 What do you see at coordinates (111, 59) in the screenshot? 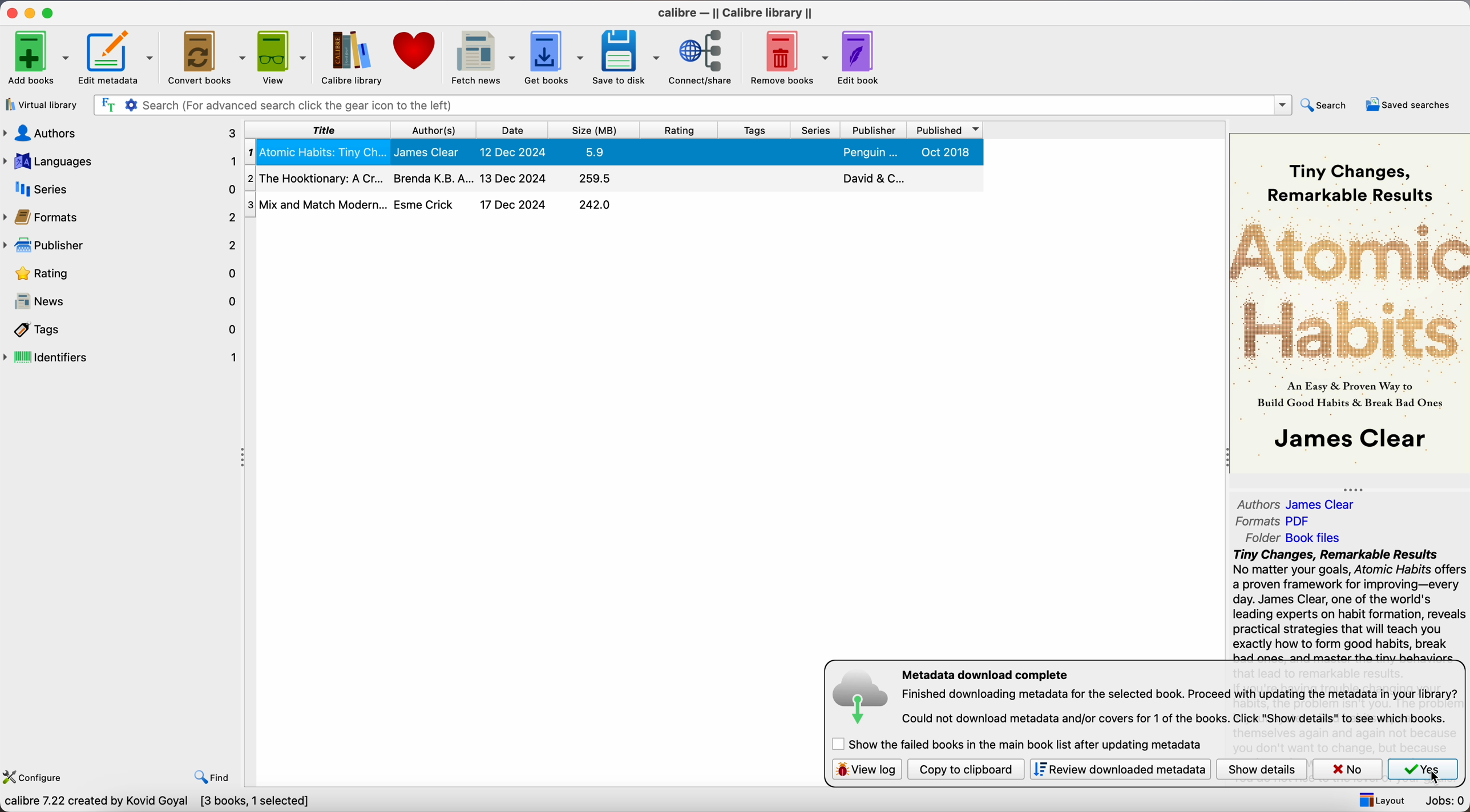
I see `Edit metadata` at bounding box center [111, 59].